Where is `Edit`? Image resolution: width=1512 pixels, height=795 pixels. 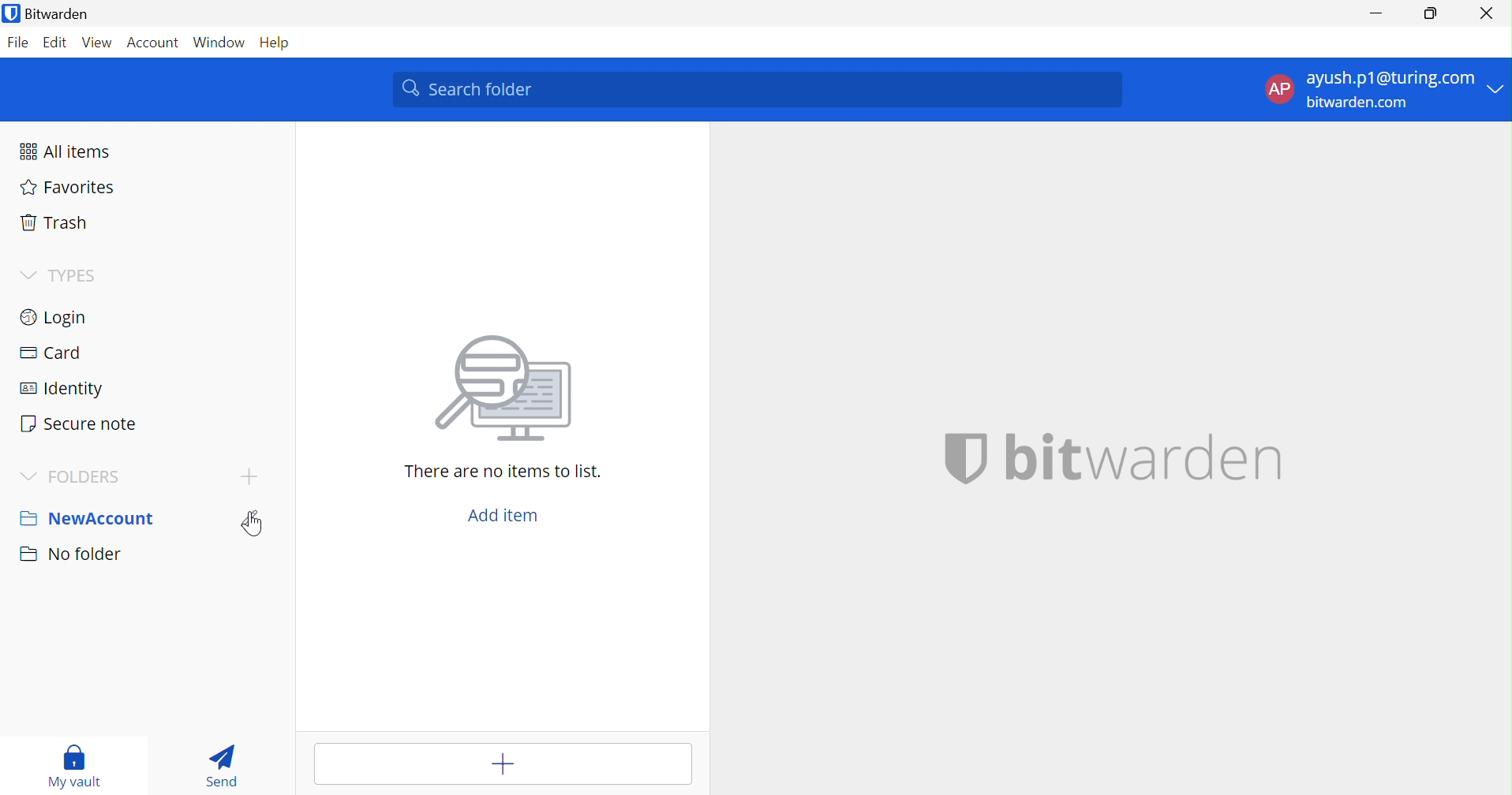
Edit is located at coordinates (56, 44).